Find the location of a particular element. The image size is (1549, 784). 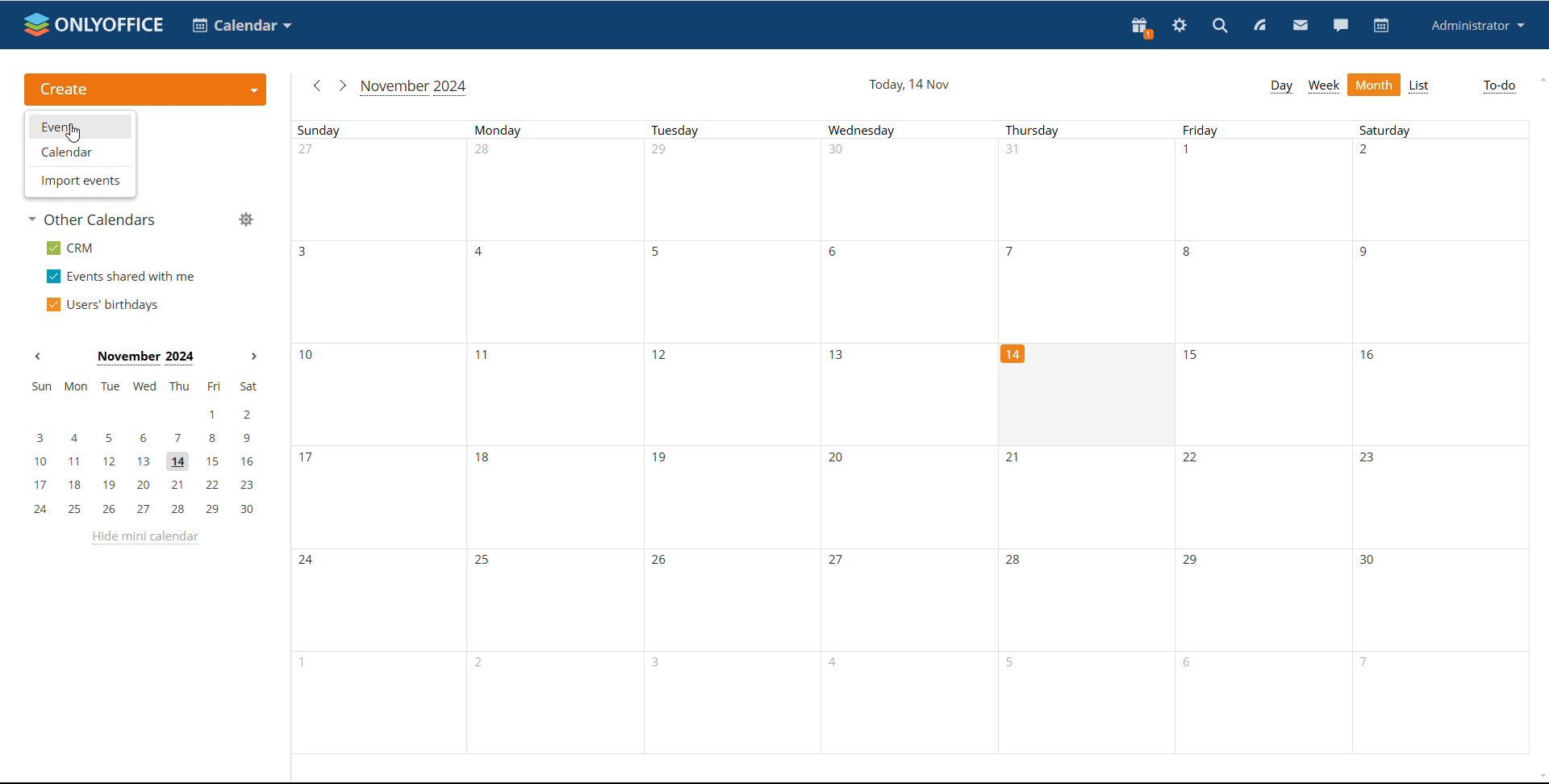

sun, mon, tue, wed, thu, fri, sat is located at coordinates (143, 386).